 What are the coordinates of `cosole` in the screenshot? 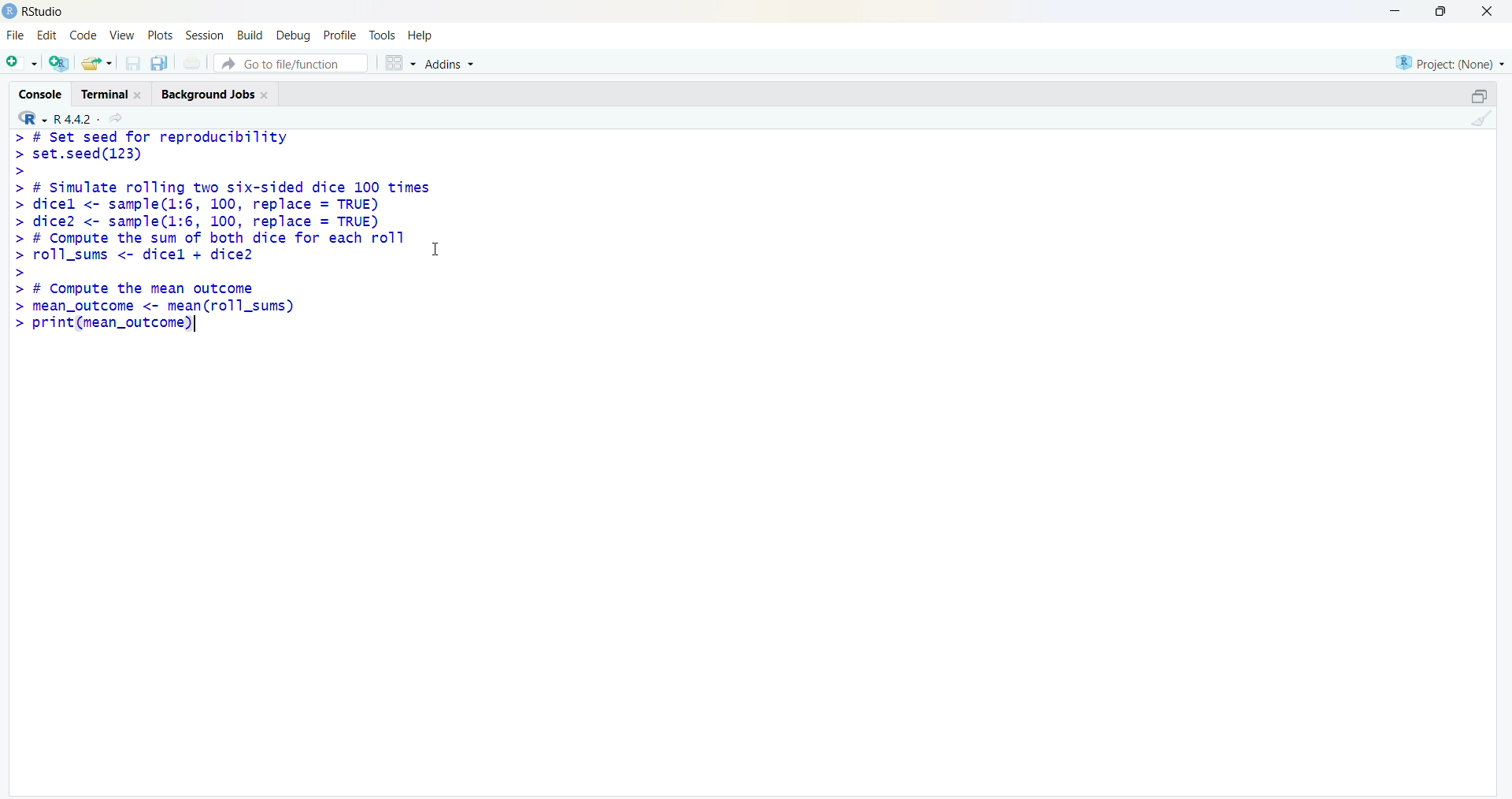 It's located at (40, 95).